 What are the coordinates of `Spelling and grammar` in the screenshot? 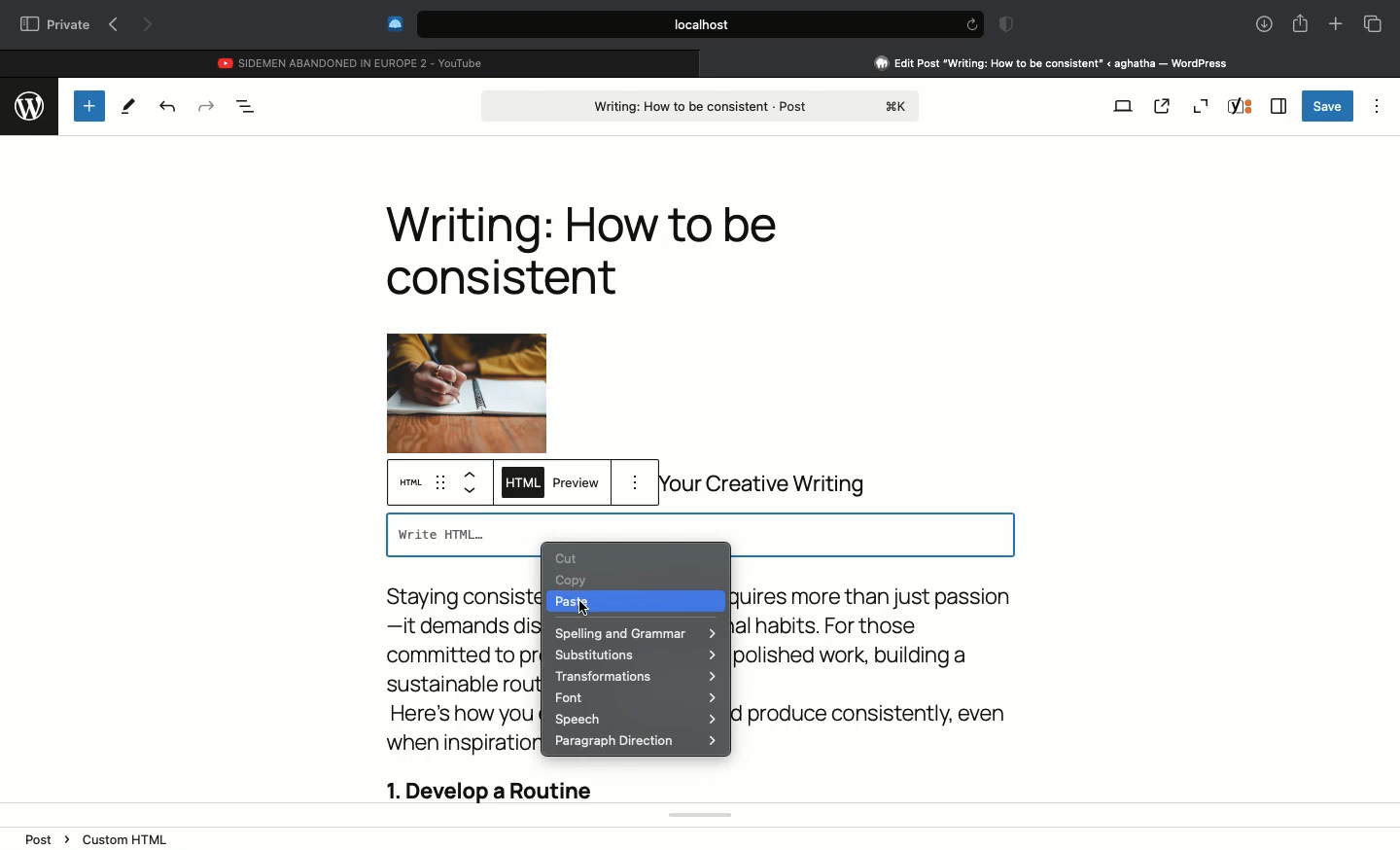 It's located at (636, 634).